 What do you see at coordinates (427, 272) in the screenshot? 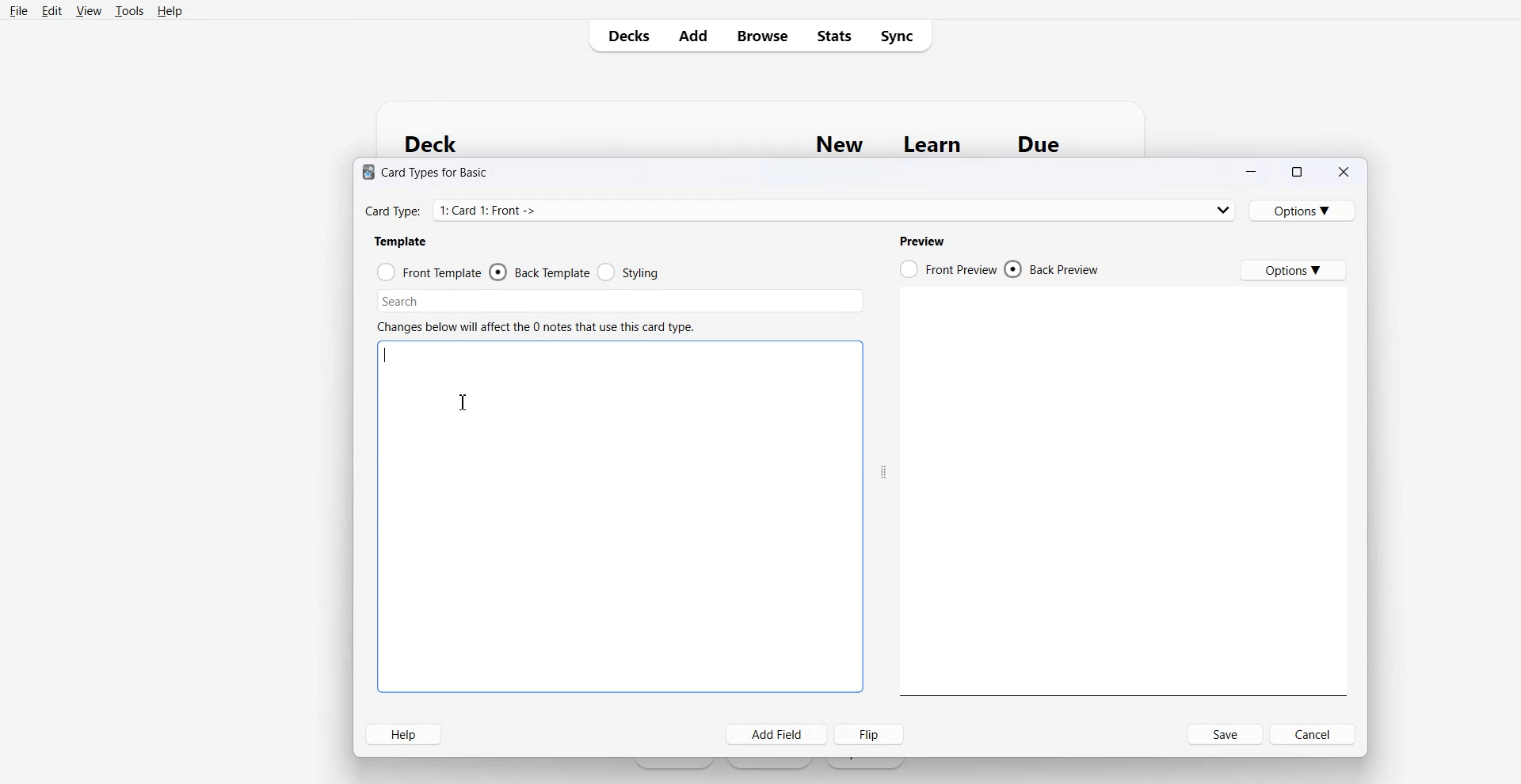
I see `Front template` at bounding box center [427, 272].